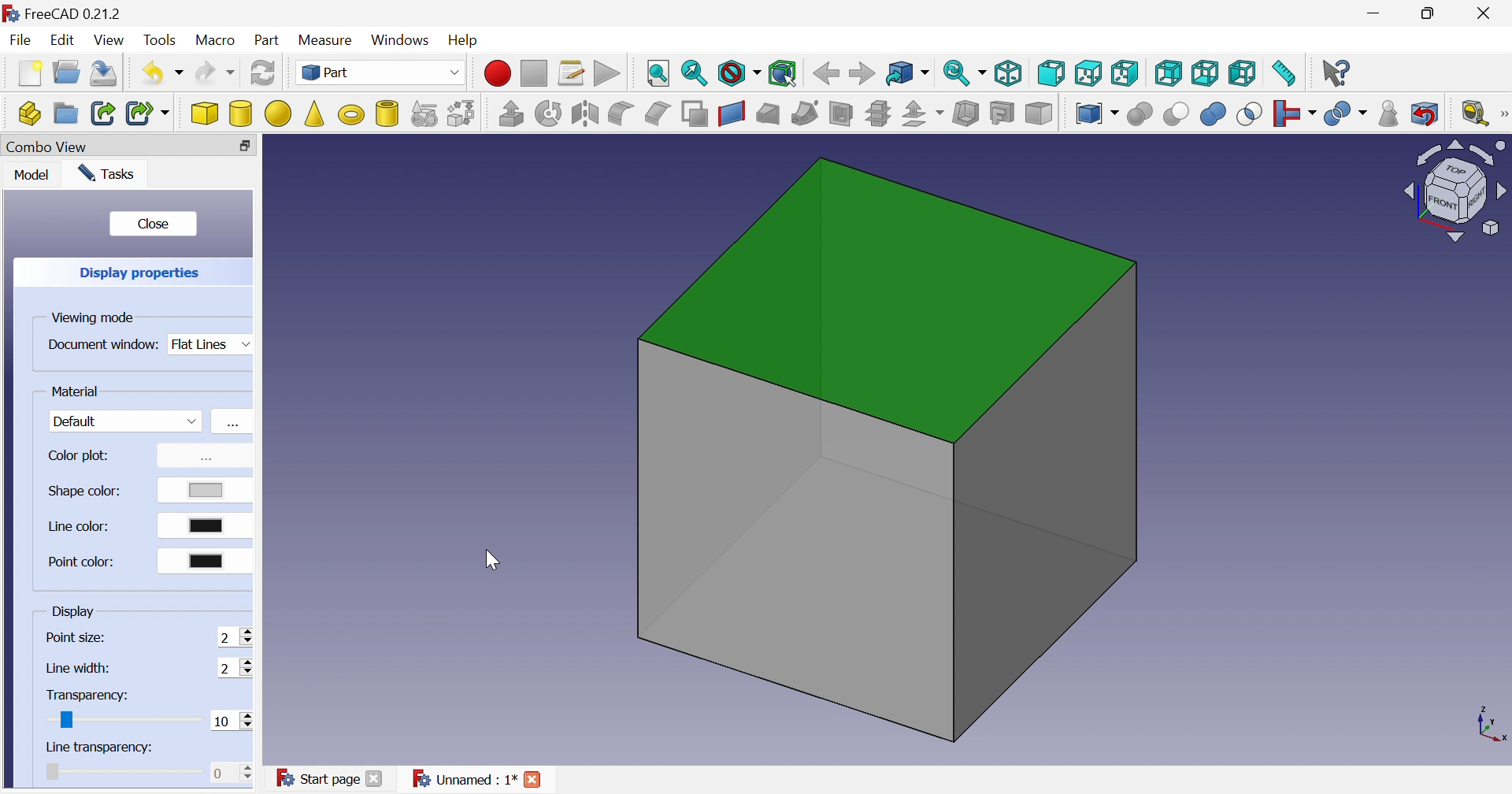  I want to click on Loft, so click(768, 114).